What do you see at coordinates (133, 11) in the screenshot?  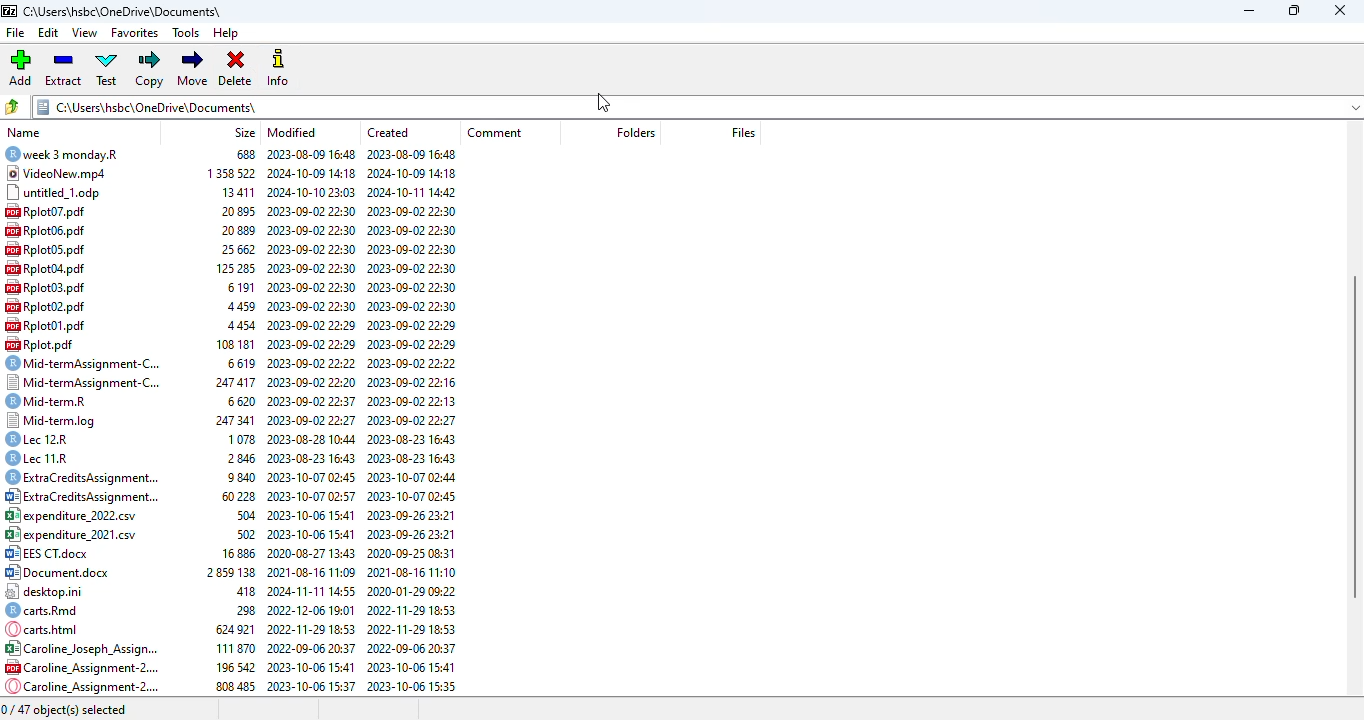 I see `c\Users\hsbc\OneDrive\Documents\` at bounding box center [133, 11].